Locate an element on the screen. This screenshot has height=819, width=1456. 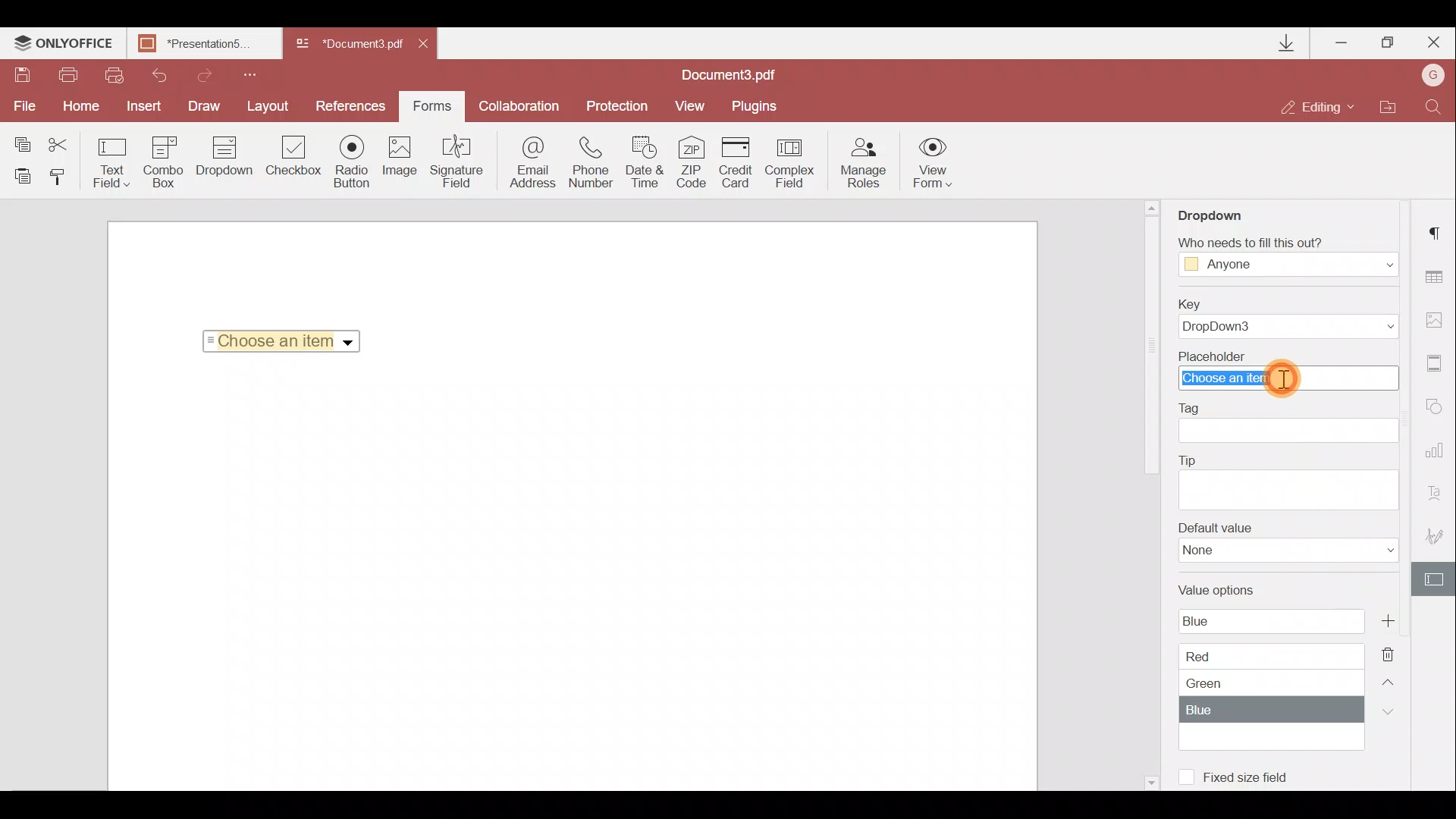
Close is located at coordinates (1432, 43).